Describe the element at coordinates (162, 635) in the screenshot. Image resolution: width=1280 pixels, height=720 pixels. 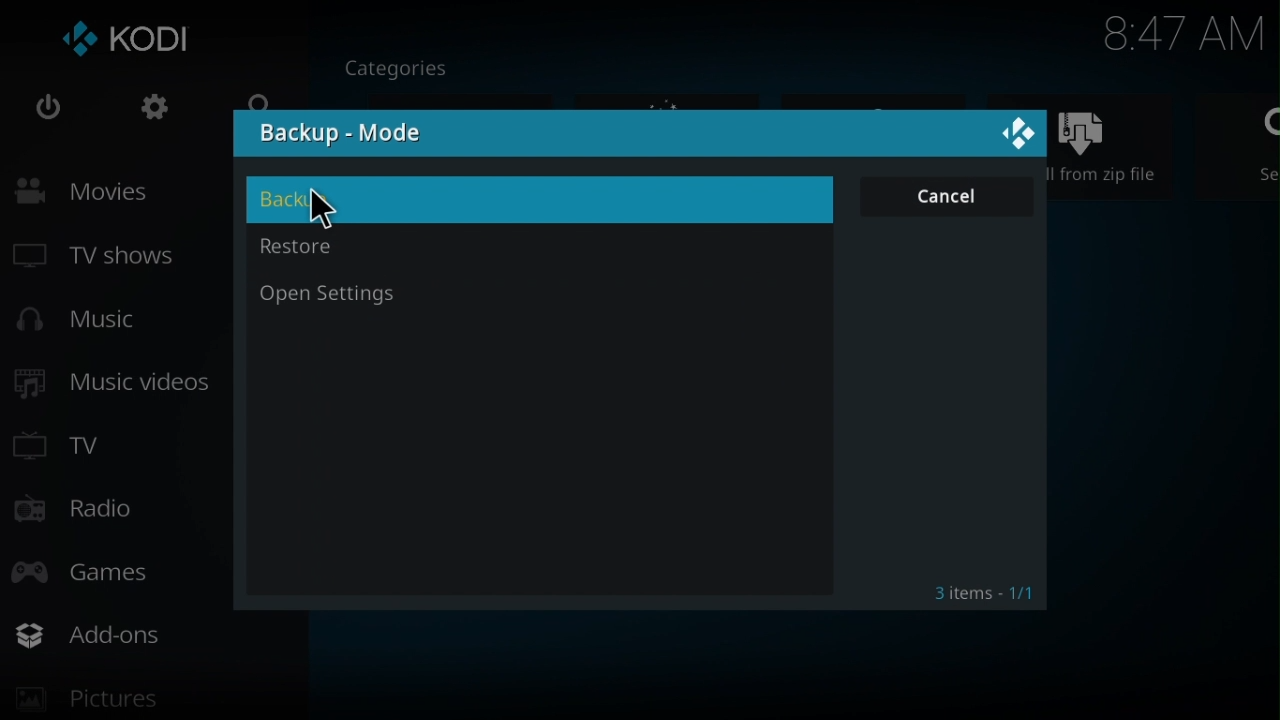
I see `add-ons` at that location.